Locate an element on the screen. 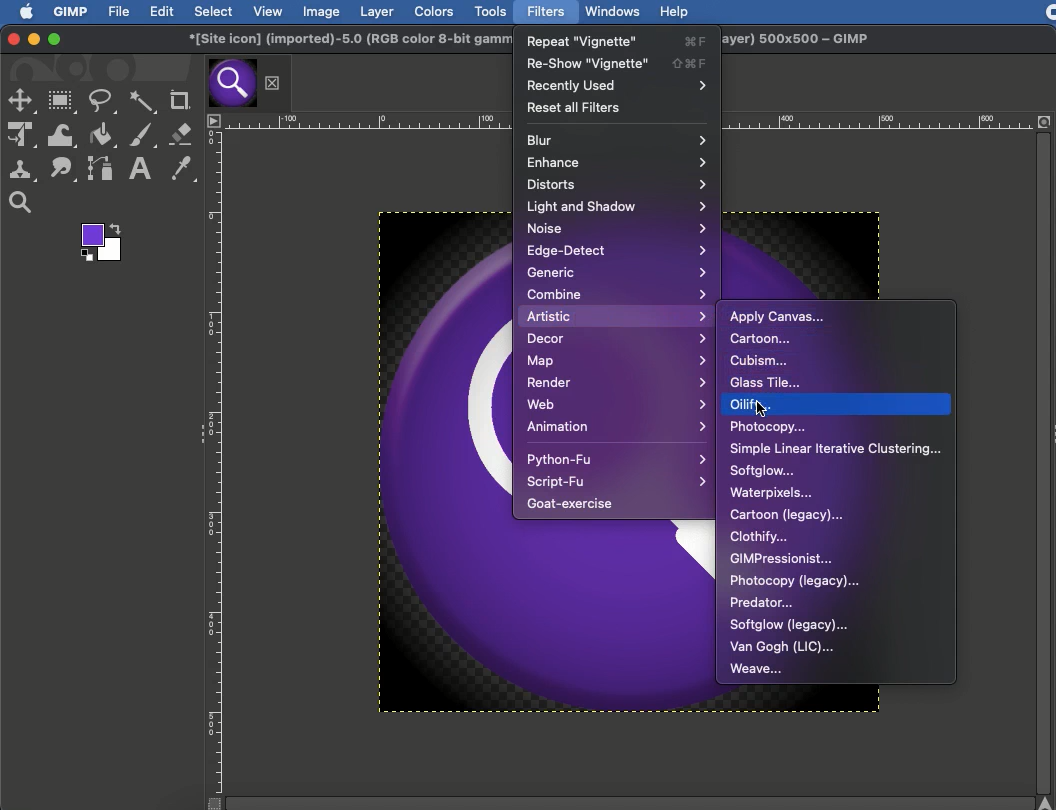 The image size is (1056, 810). cursor is located at coordinates (763, 409).